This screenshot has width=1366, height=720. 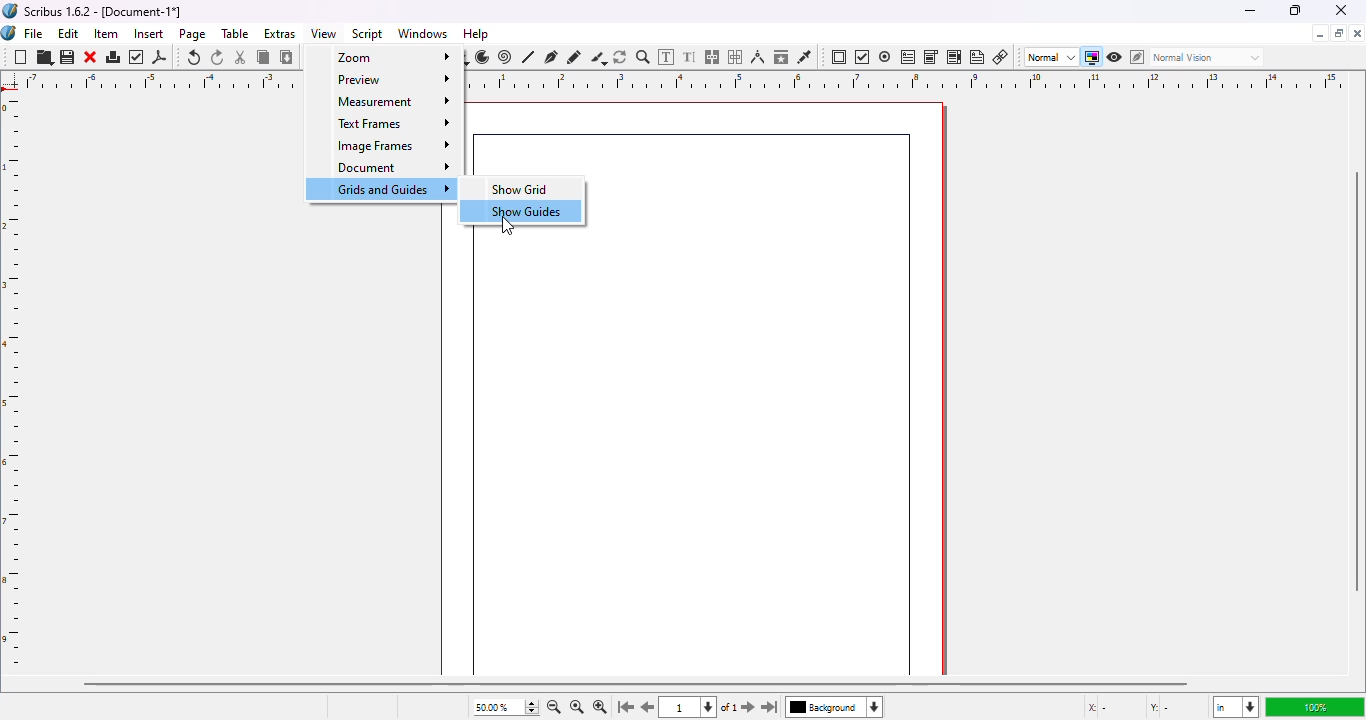 I want to click on help, so click(x=476, y=34).